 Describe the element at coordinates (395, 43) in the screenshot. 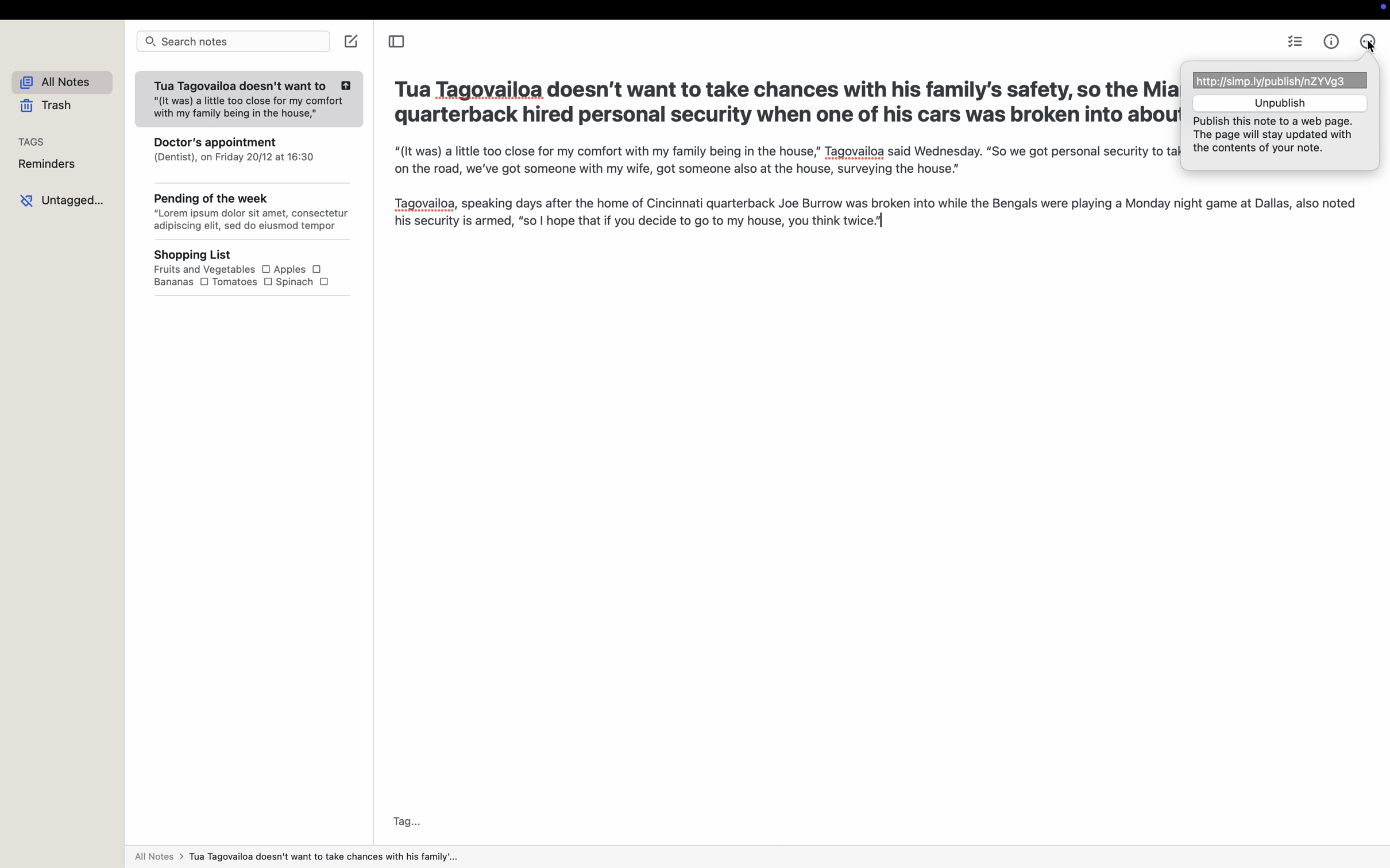

I see `toggle sidebar` at that location.